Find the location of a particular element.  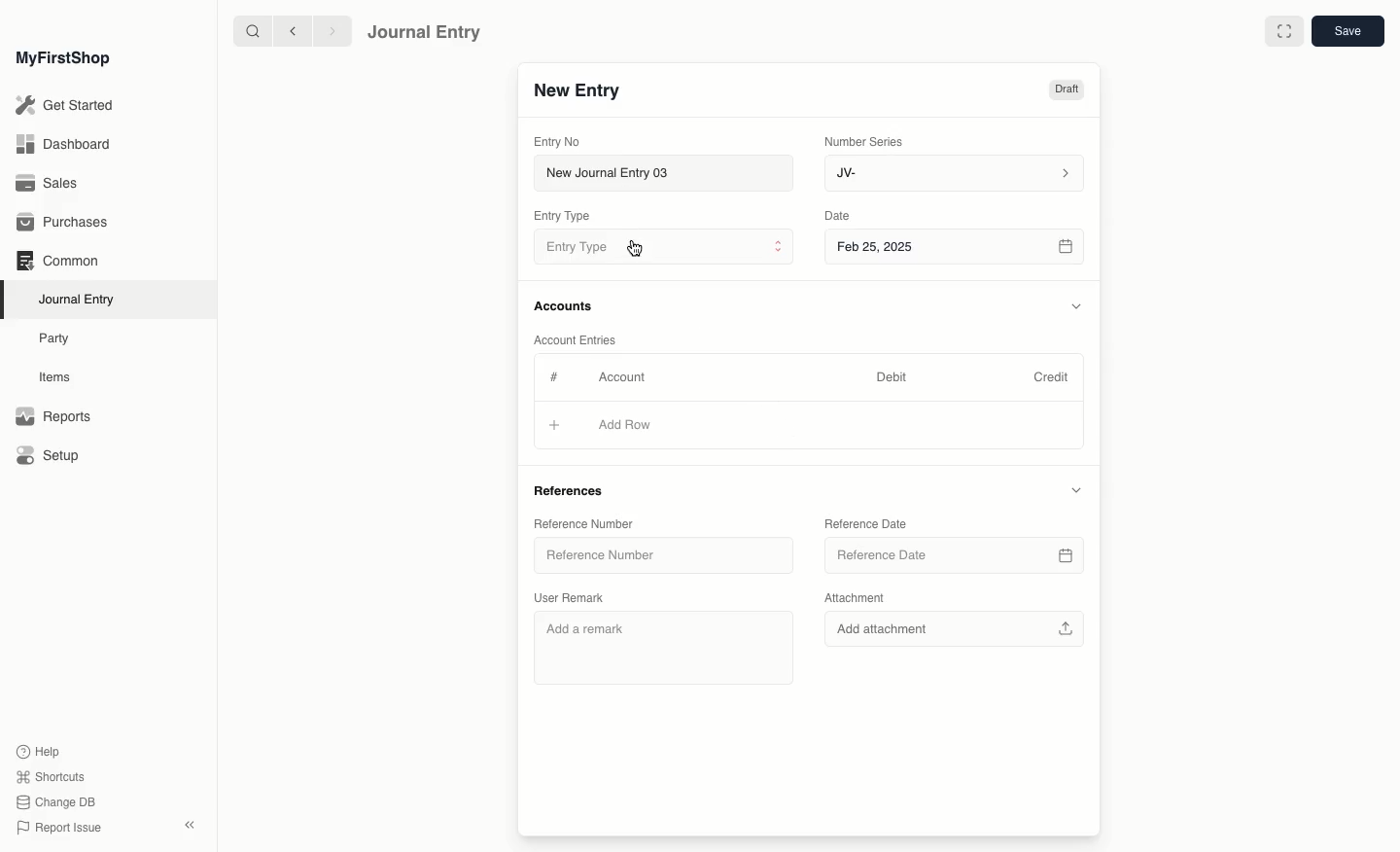

Account Entries is located at coordinates (582, 340).